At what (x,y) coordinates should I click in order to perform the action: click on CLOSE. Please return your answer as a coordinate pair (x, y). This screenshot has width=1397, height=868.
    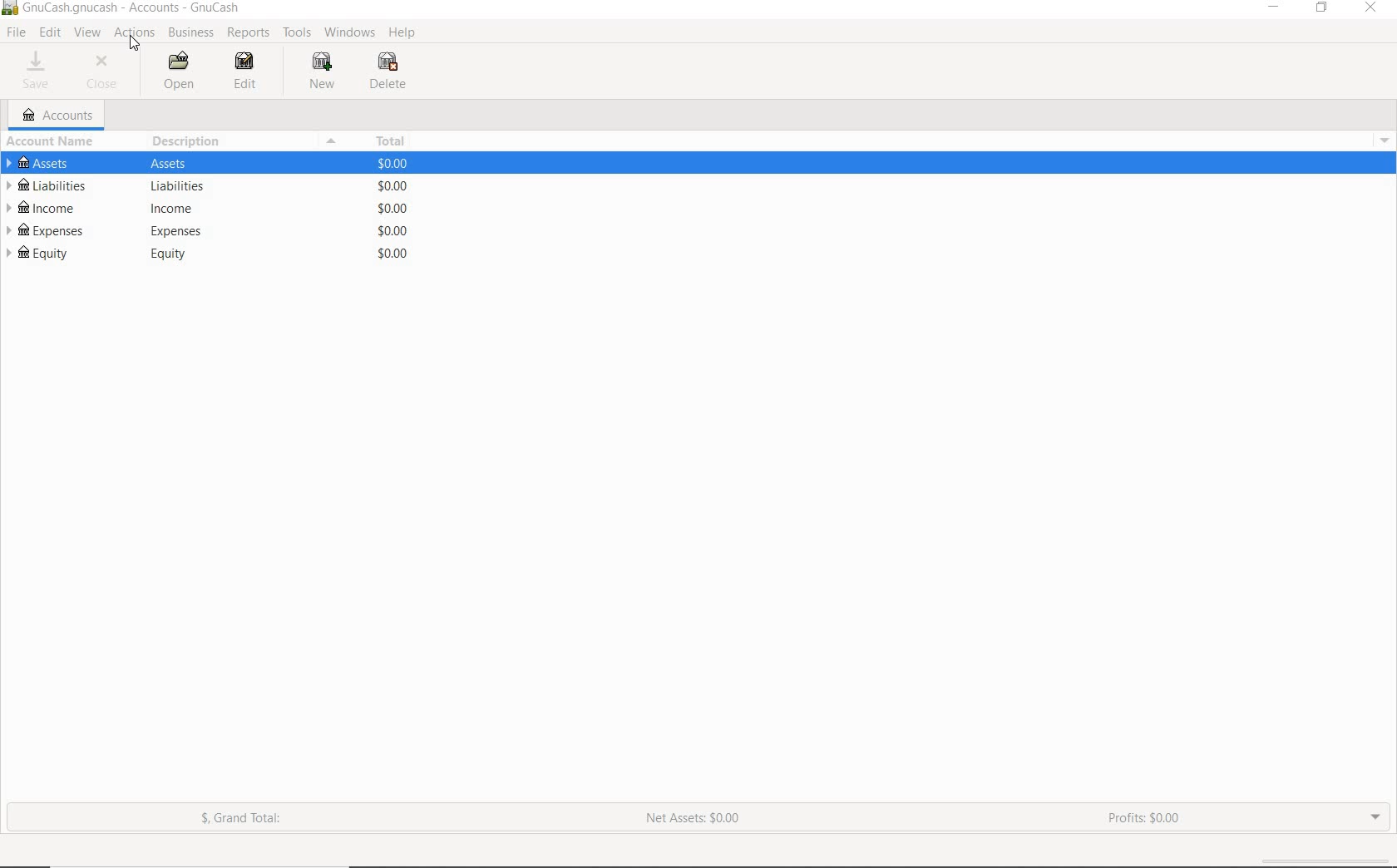
    Looking at the image, I should click on (108, 75).